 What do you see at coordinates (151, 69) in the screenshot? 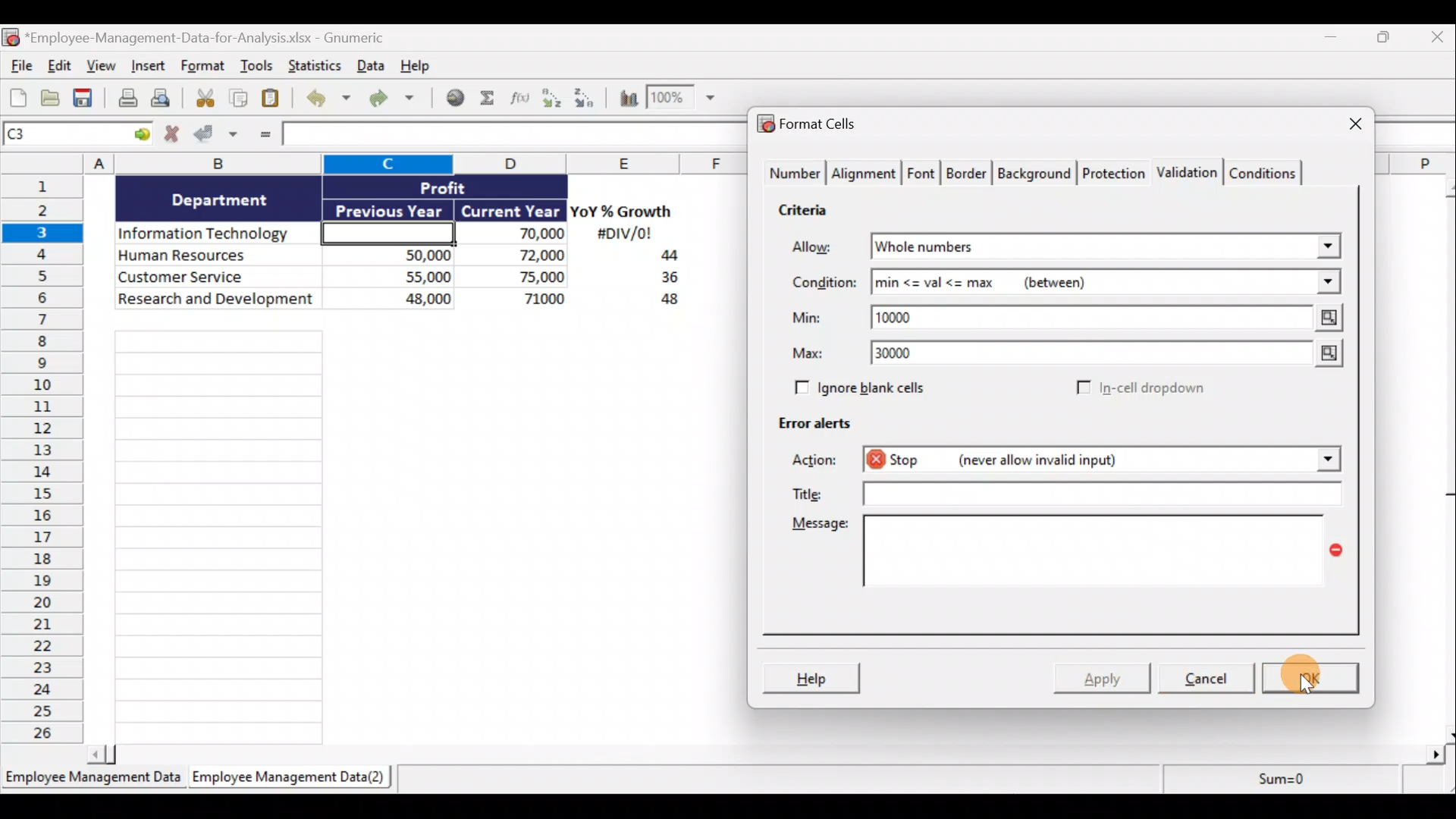
I see `Insert` at bounding box center [151, 69].